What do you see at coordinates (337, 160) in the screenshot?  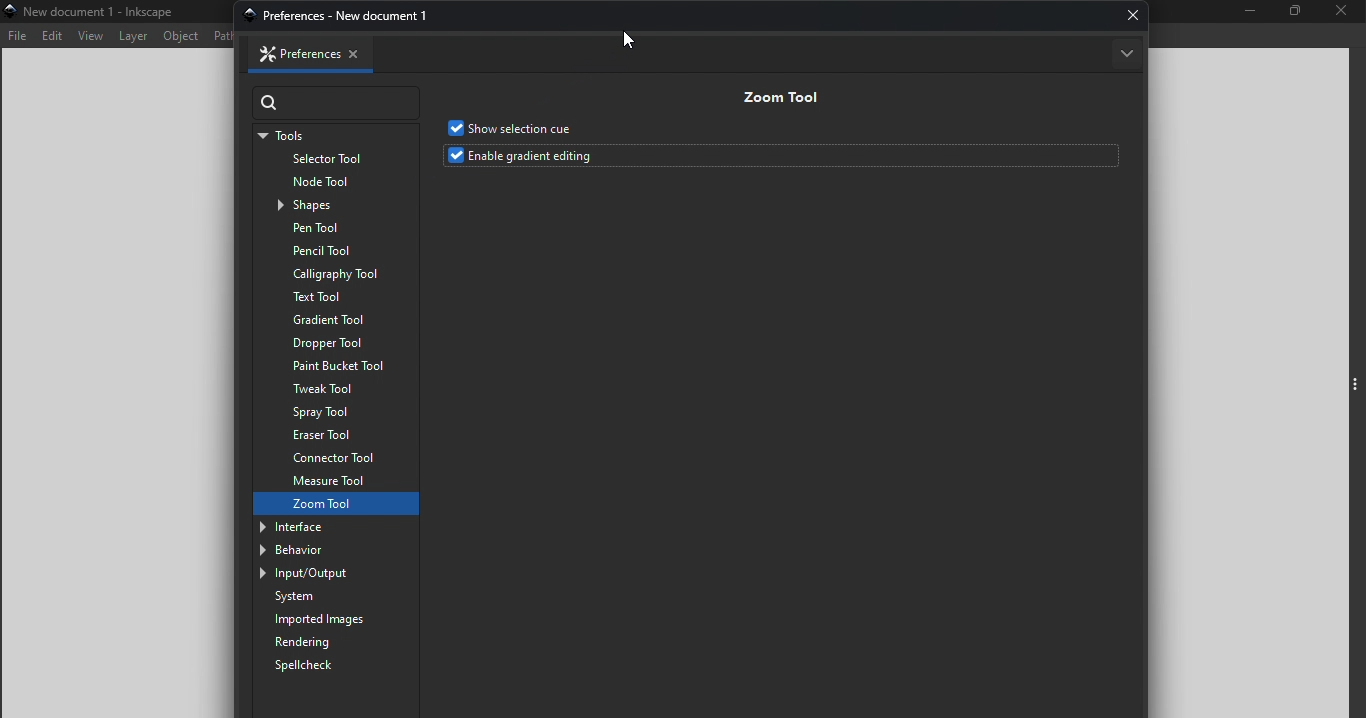 I see `Selector tool` at bounding box center [337, 160].